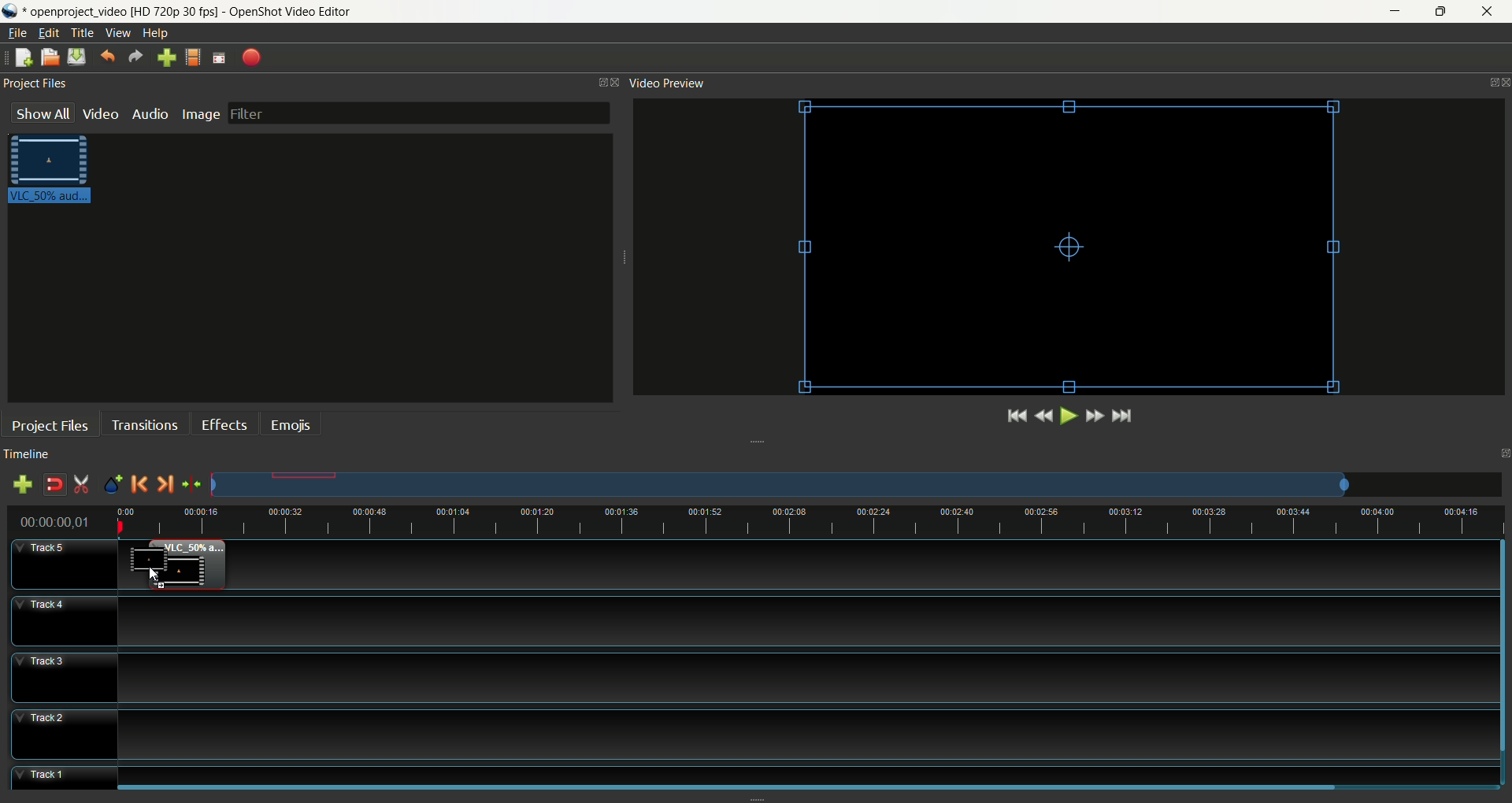 The width and height of the screenshot is (1512, 803). What do you see at coordinates (200, 115) in the screenshot?
I see `image` at bounding box center [200, 115].